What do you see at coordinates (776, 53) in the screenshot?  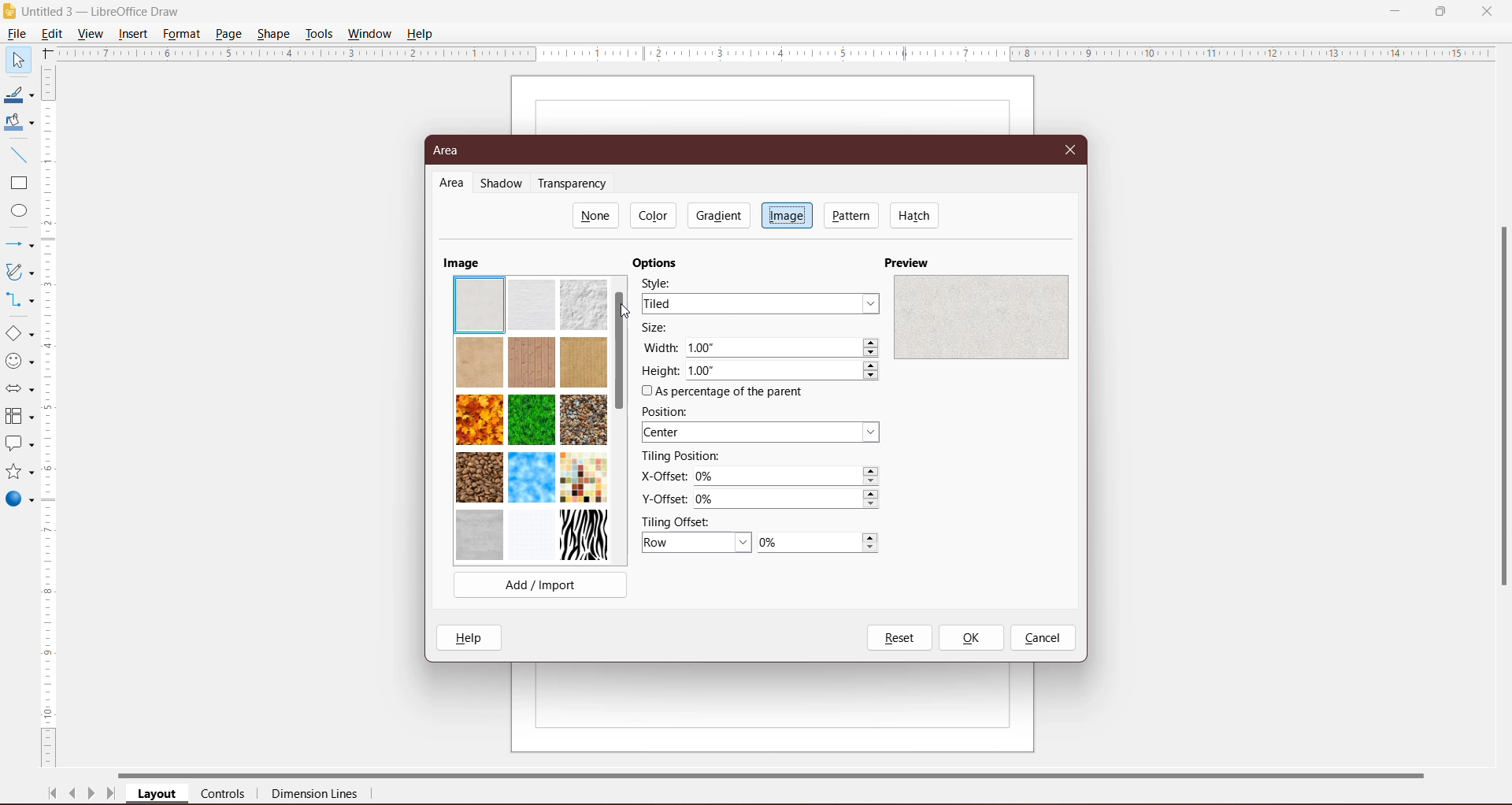 I see `Horizontal Ruler` at bounding box center [776, 53].